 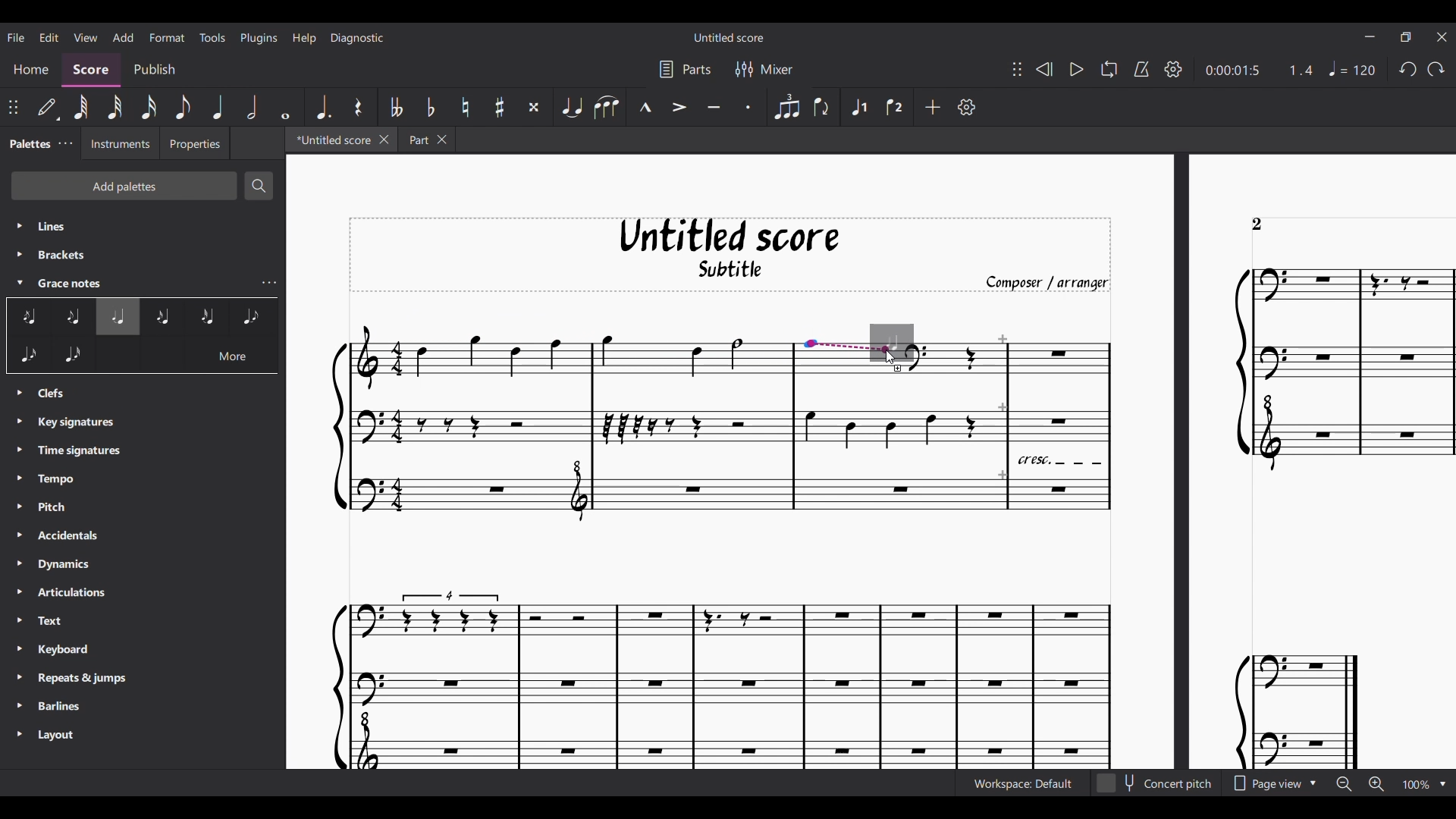 I want to click on Current score, so click(x=730, y=572).